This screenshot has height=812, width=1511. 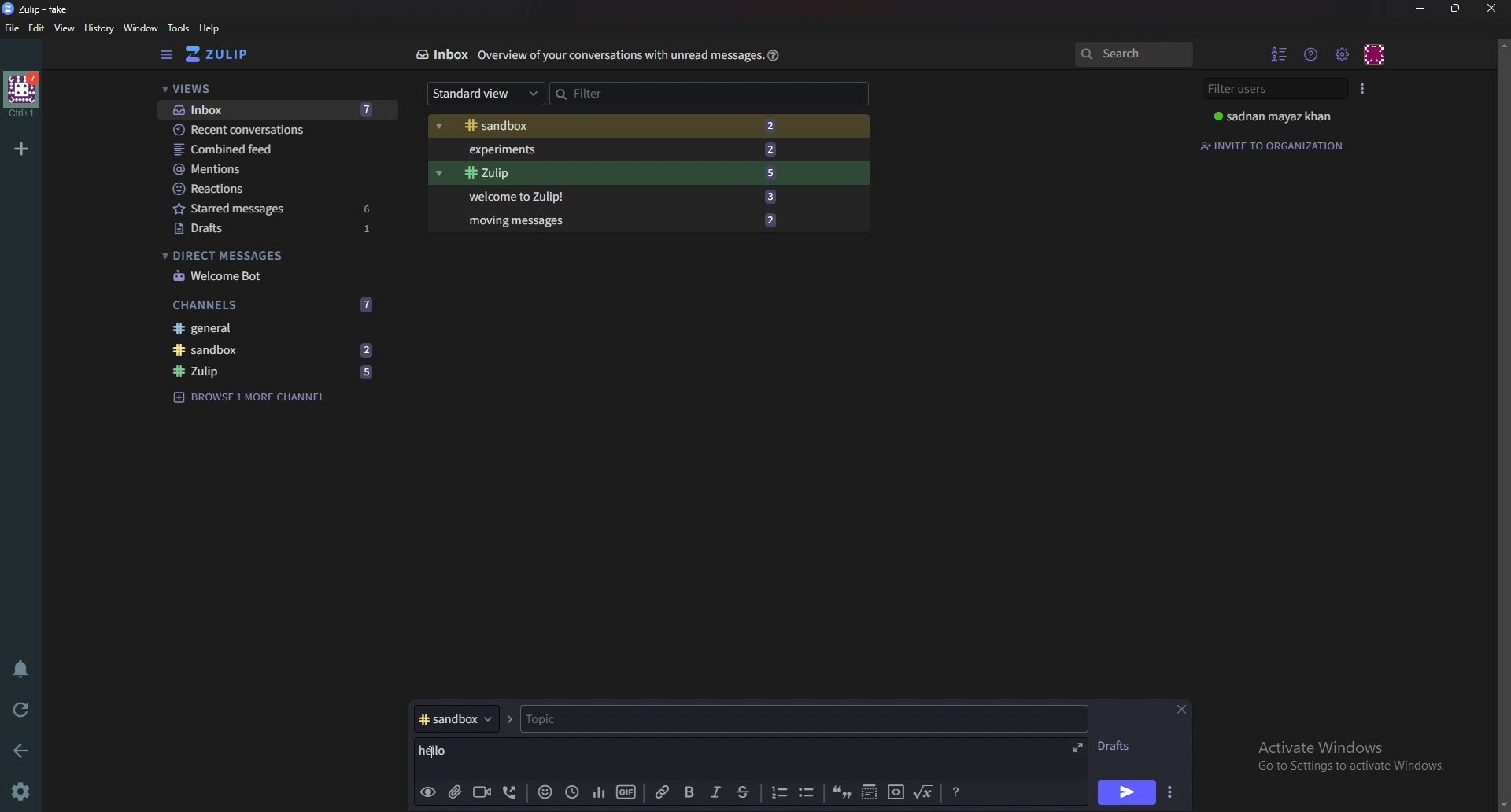 What do you see at coordinates (923, 792) in the screenshot?
I see `Math` at bounding box center [923, 792].